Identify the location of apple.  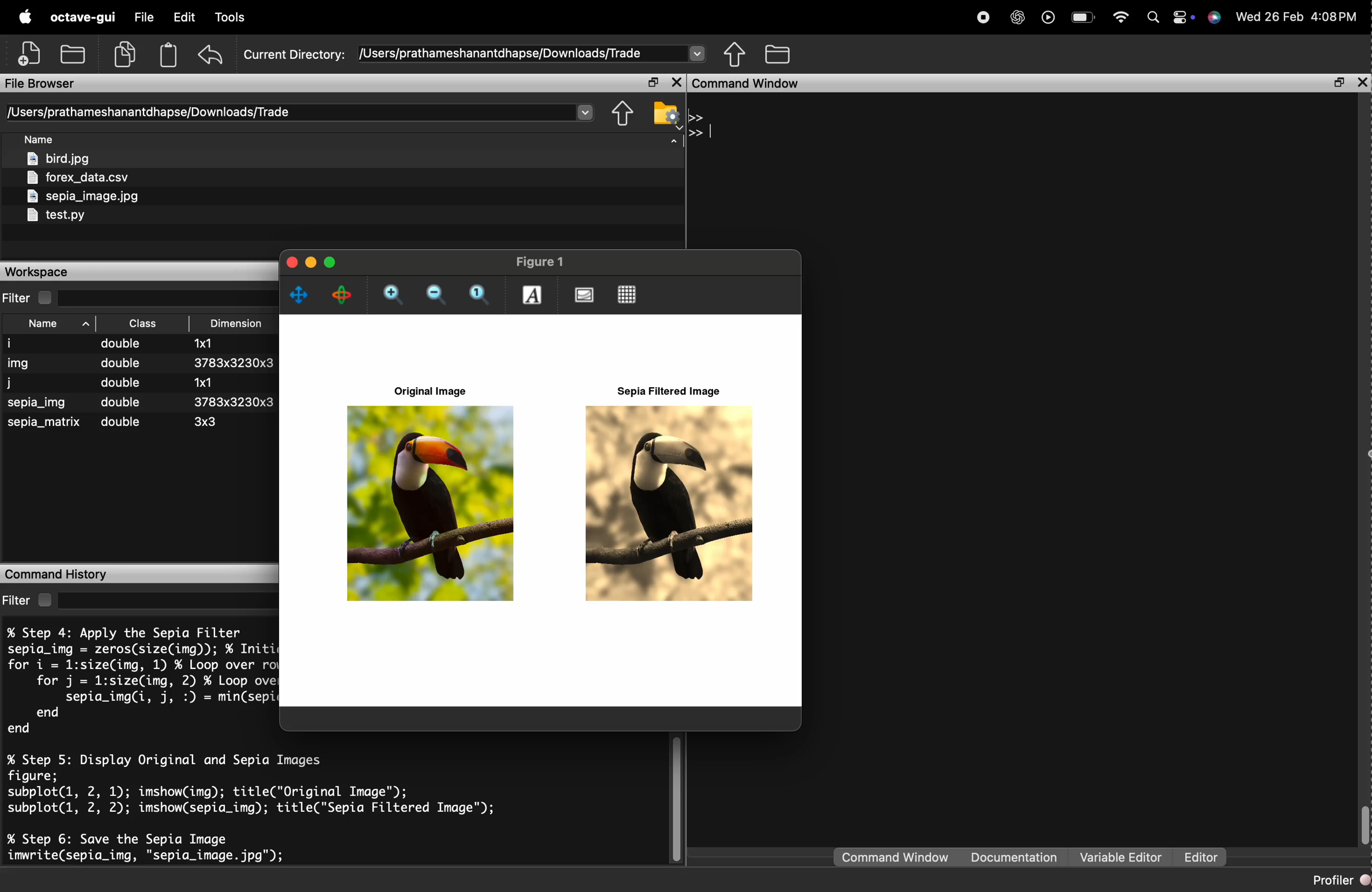
(25, 16).